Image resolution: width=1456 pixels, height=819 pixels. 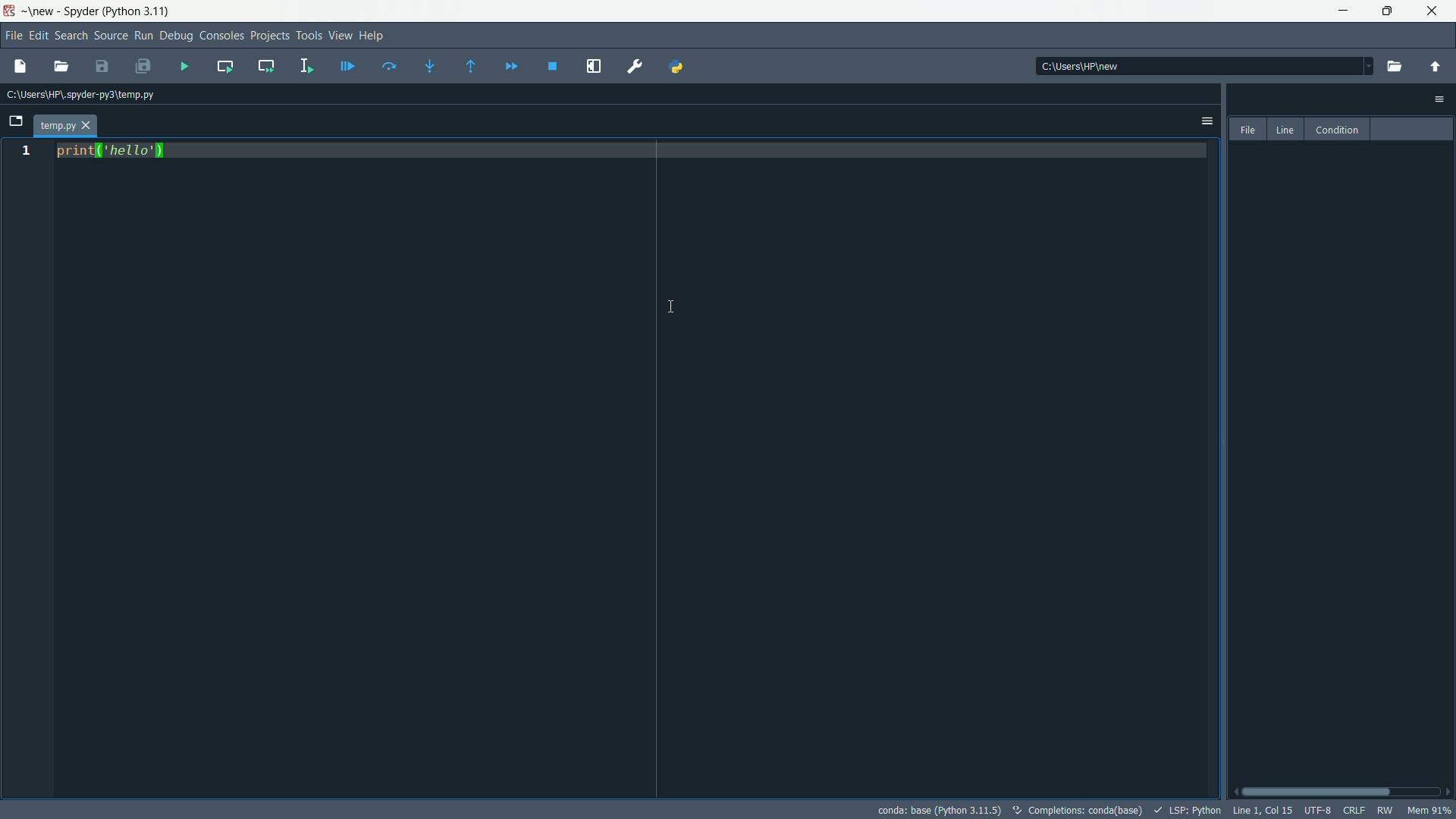 I want to click on open file, so click(x=63, y=67).